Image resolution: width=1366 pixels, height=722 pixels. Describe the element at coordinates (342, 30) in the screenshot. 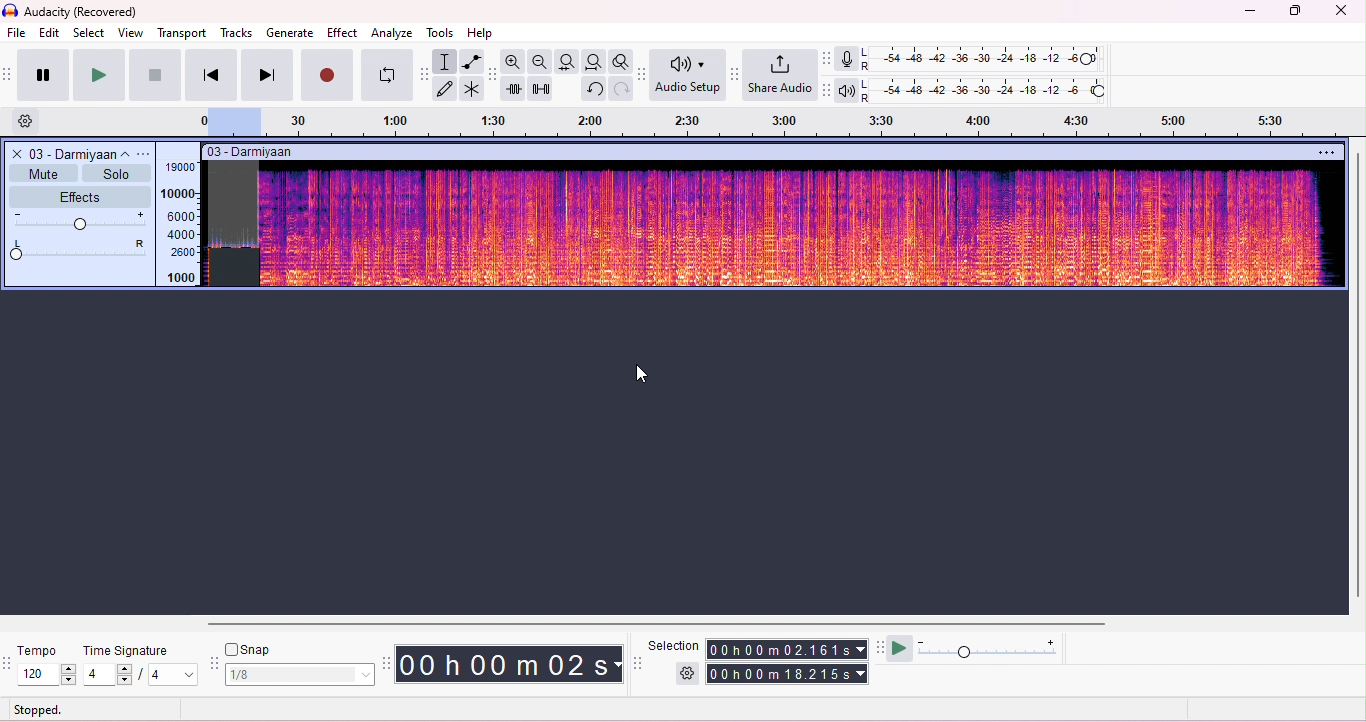

I see `effect` at that location.